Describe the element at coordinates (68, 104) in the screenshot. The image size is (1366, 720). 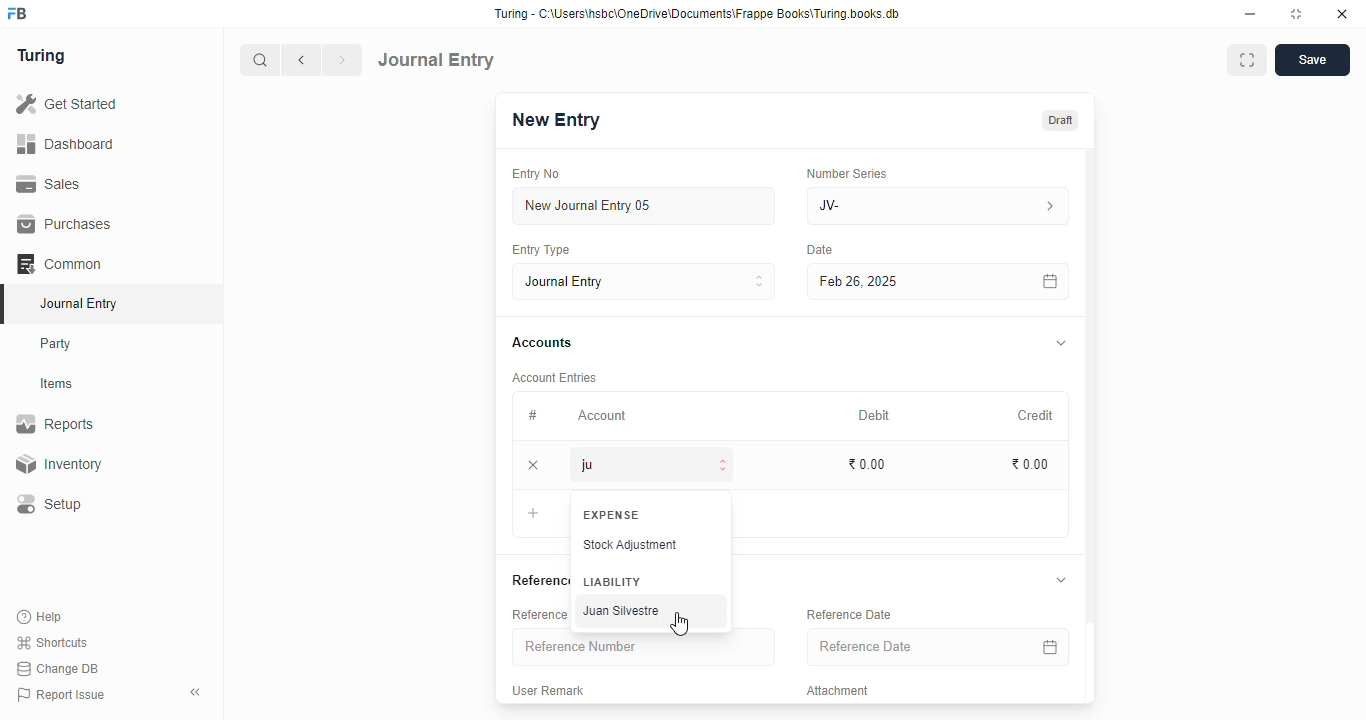
I see `get started` at that location.